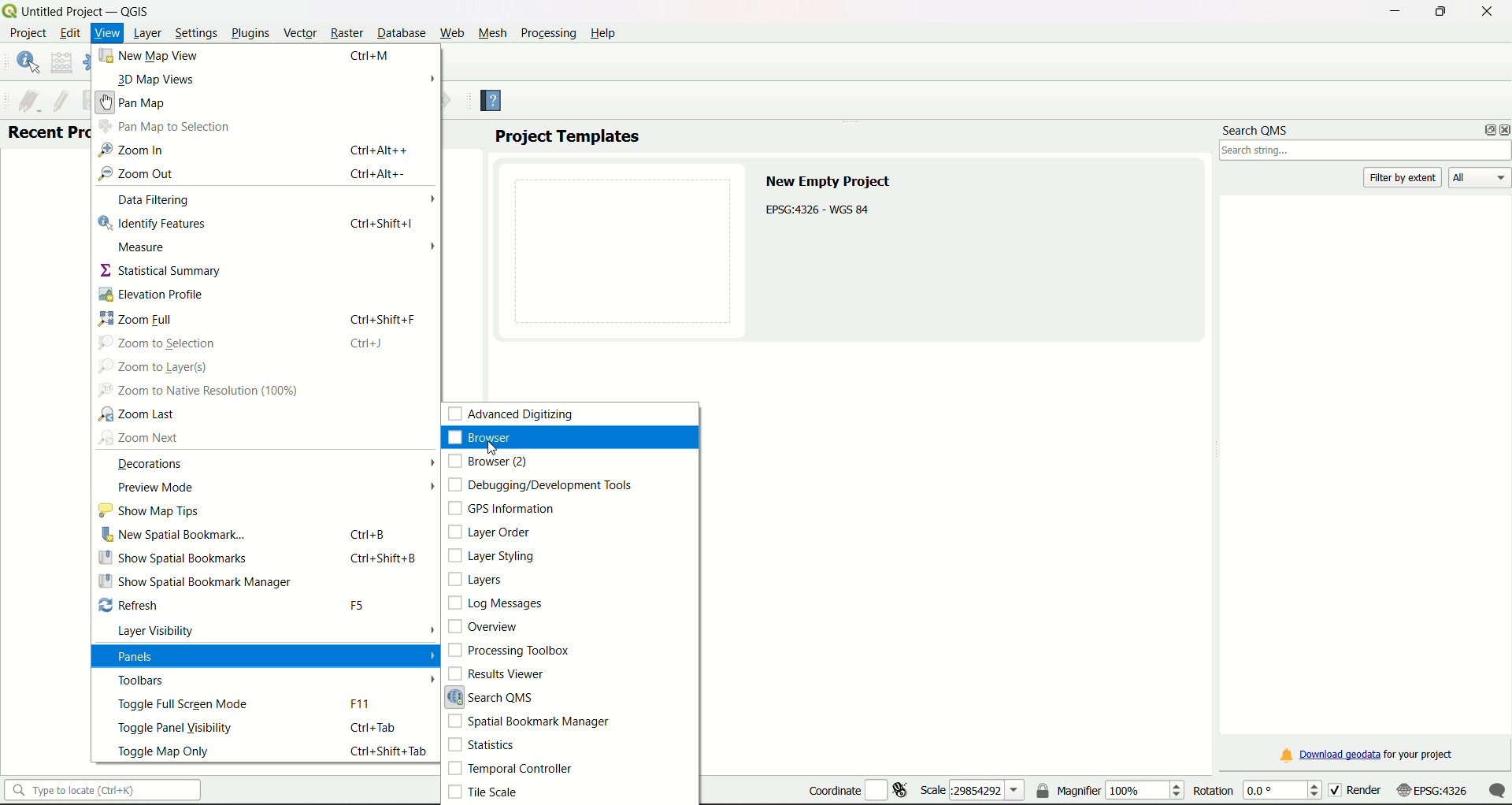 This screenshot has height=805, width=1512. What do you see at coordinates (154, 367) in the screenshot?
I see `zoom to layer` at bounding box center [154, 367].